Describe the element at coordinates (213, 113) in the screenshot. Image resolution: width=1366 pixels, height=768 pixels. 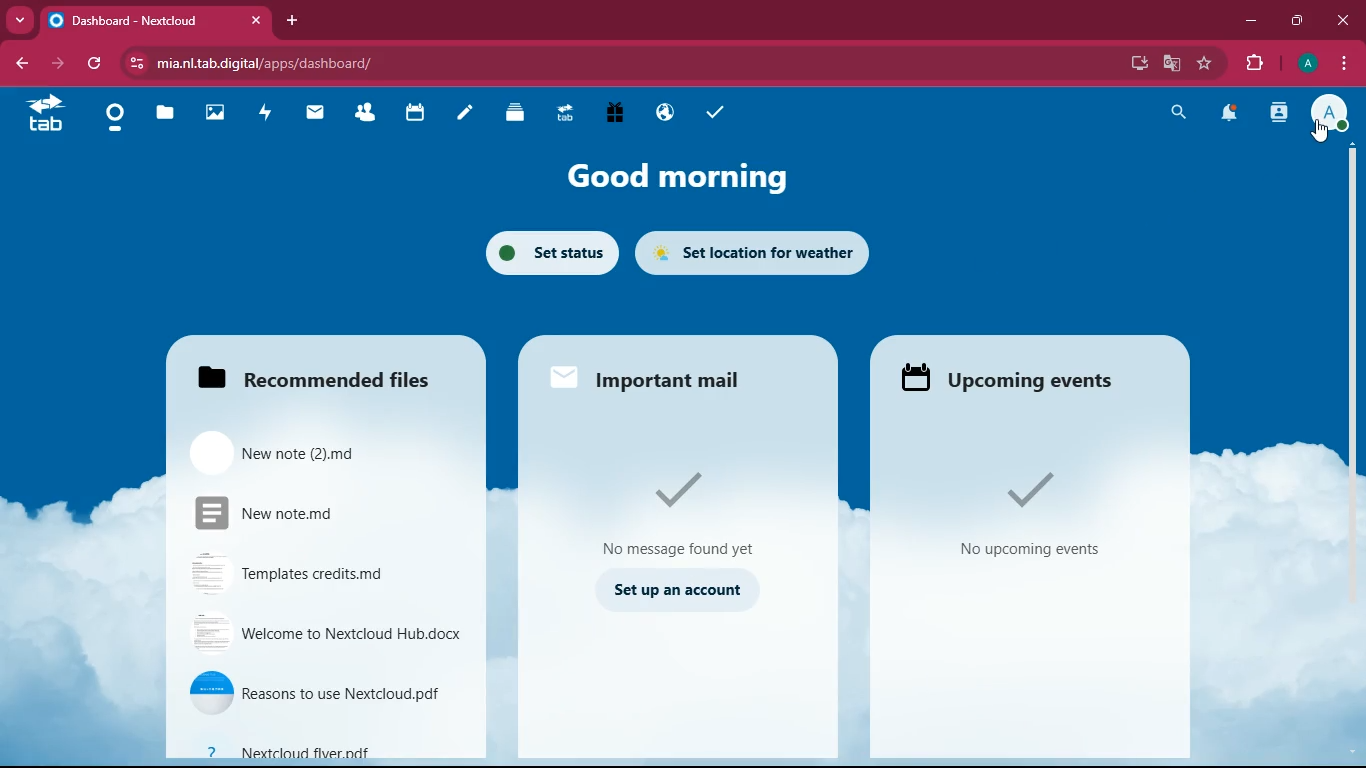
I see `images` at that location.